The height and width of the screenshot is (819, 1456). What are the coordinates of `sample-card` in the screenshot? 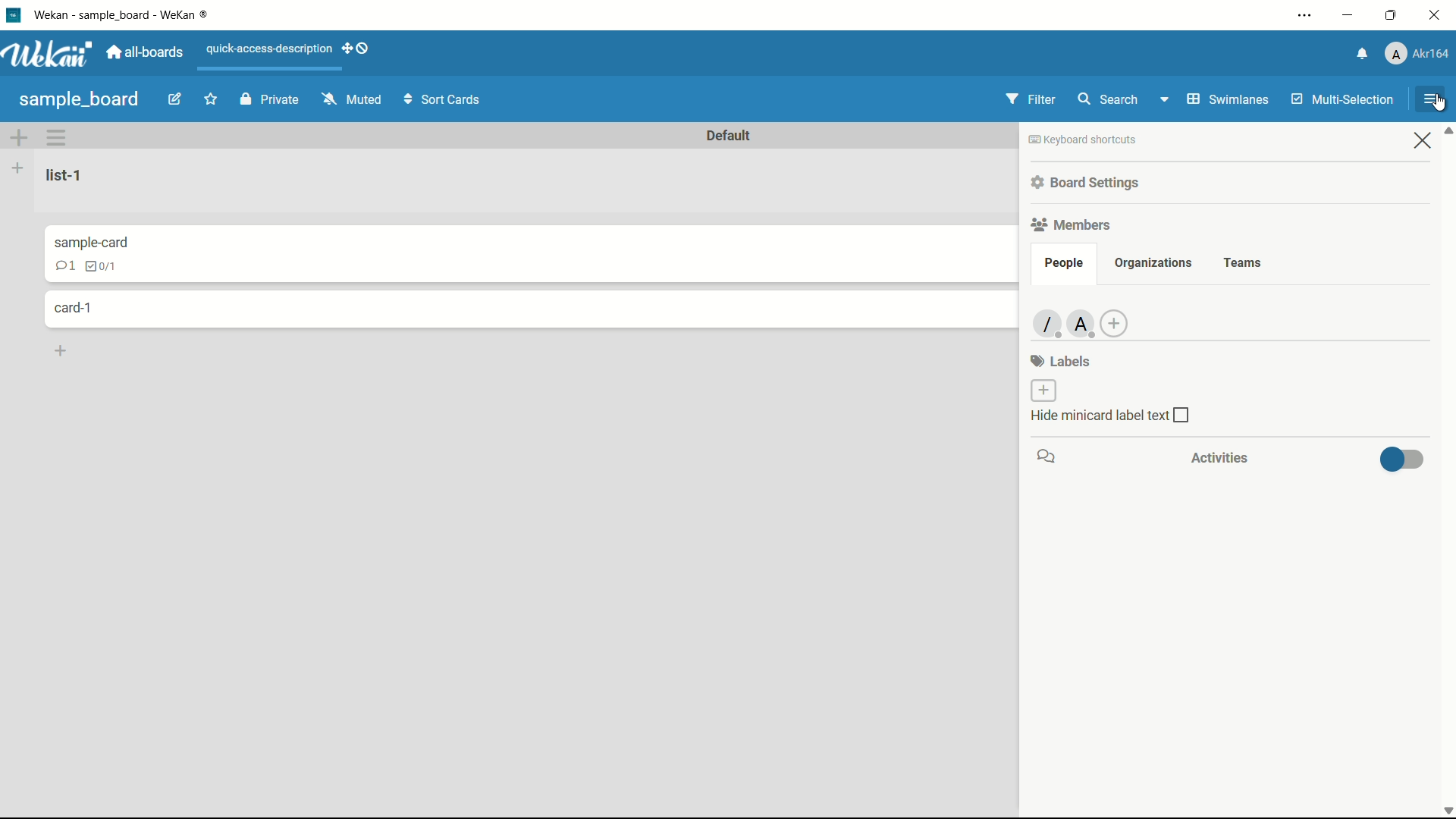 It's located at (89, 240).